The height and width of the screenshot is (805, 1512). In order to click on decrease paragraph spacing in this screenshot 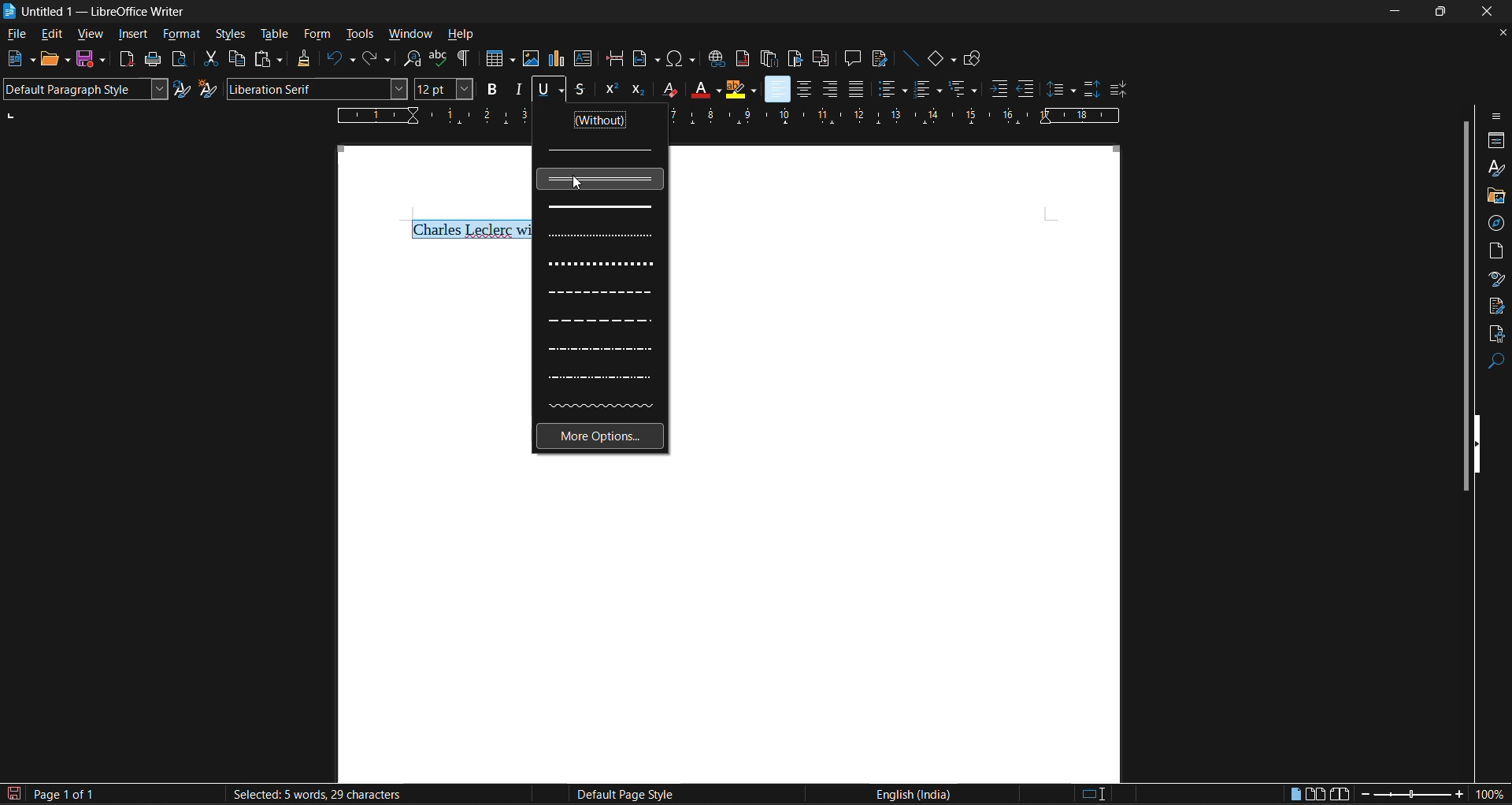, I will do `click(1118, 91)`.